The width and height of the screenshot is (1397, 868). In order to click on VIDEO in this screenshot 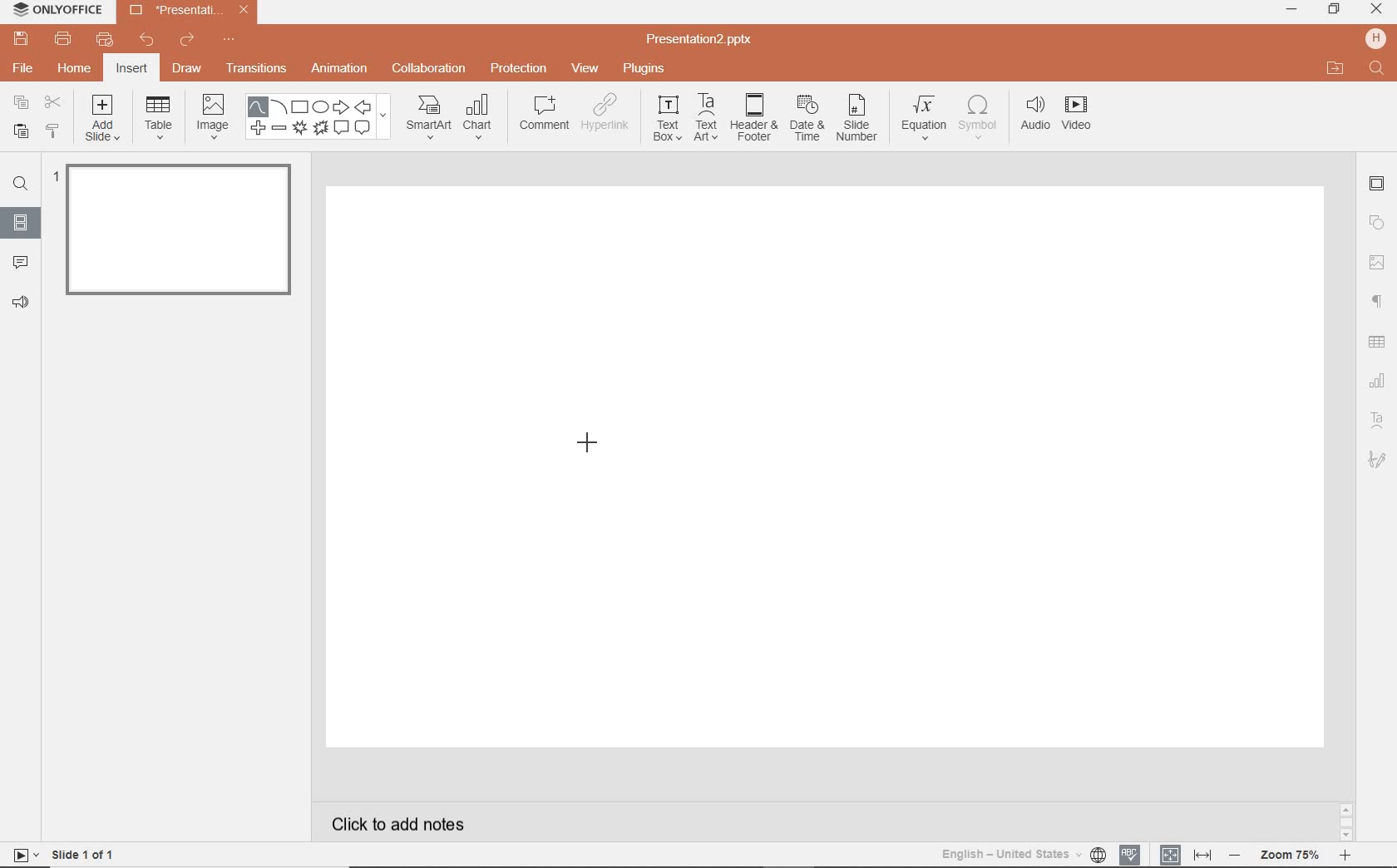, I will do `click(1085, 116)`.